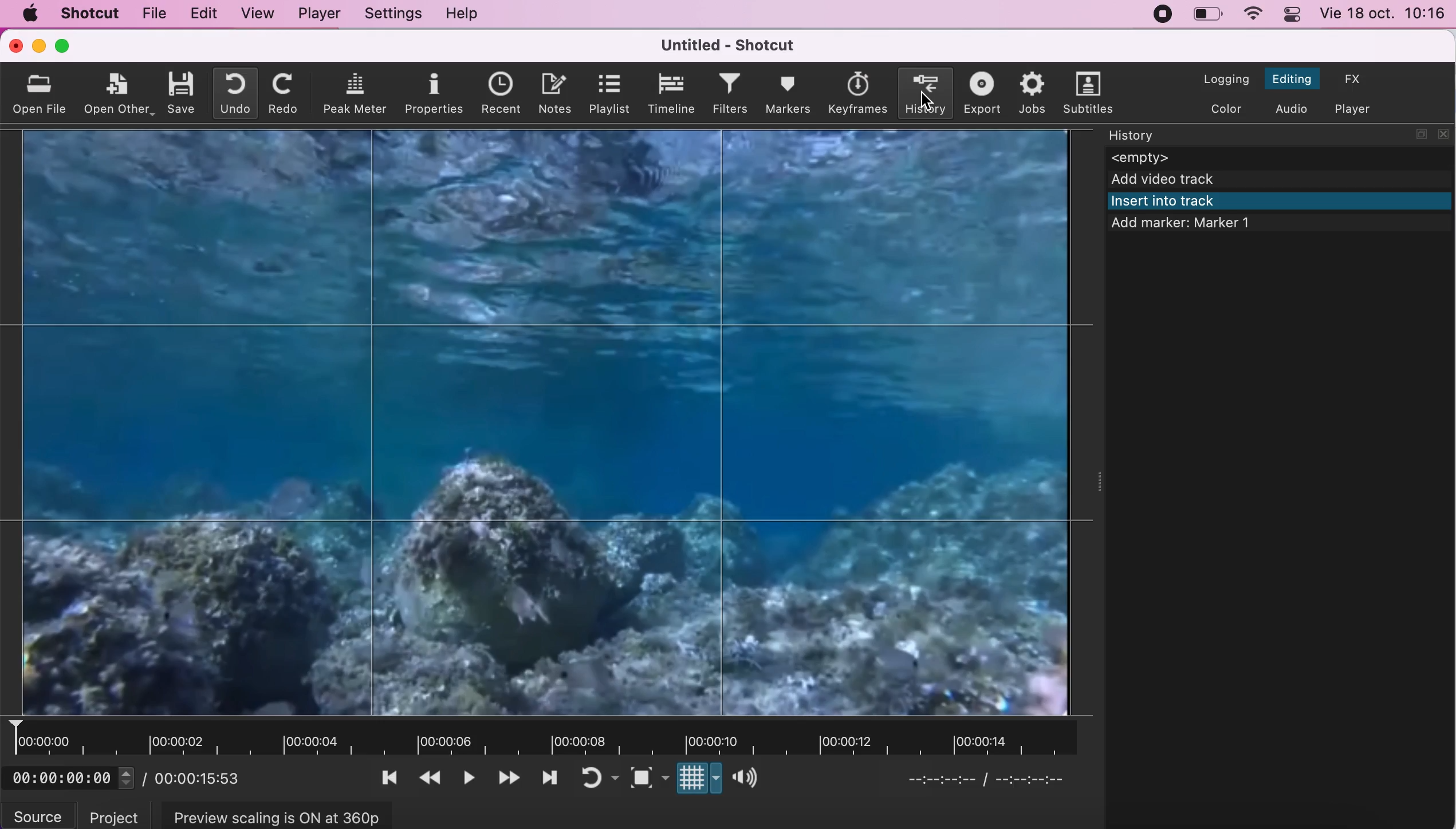 This screenshot has width=1456, height=829. Describe the element at coordinates (1252, 135) in the screenshot. I see `history panel` at that location.